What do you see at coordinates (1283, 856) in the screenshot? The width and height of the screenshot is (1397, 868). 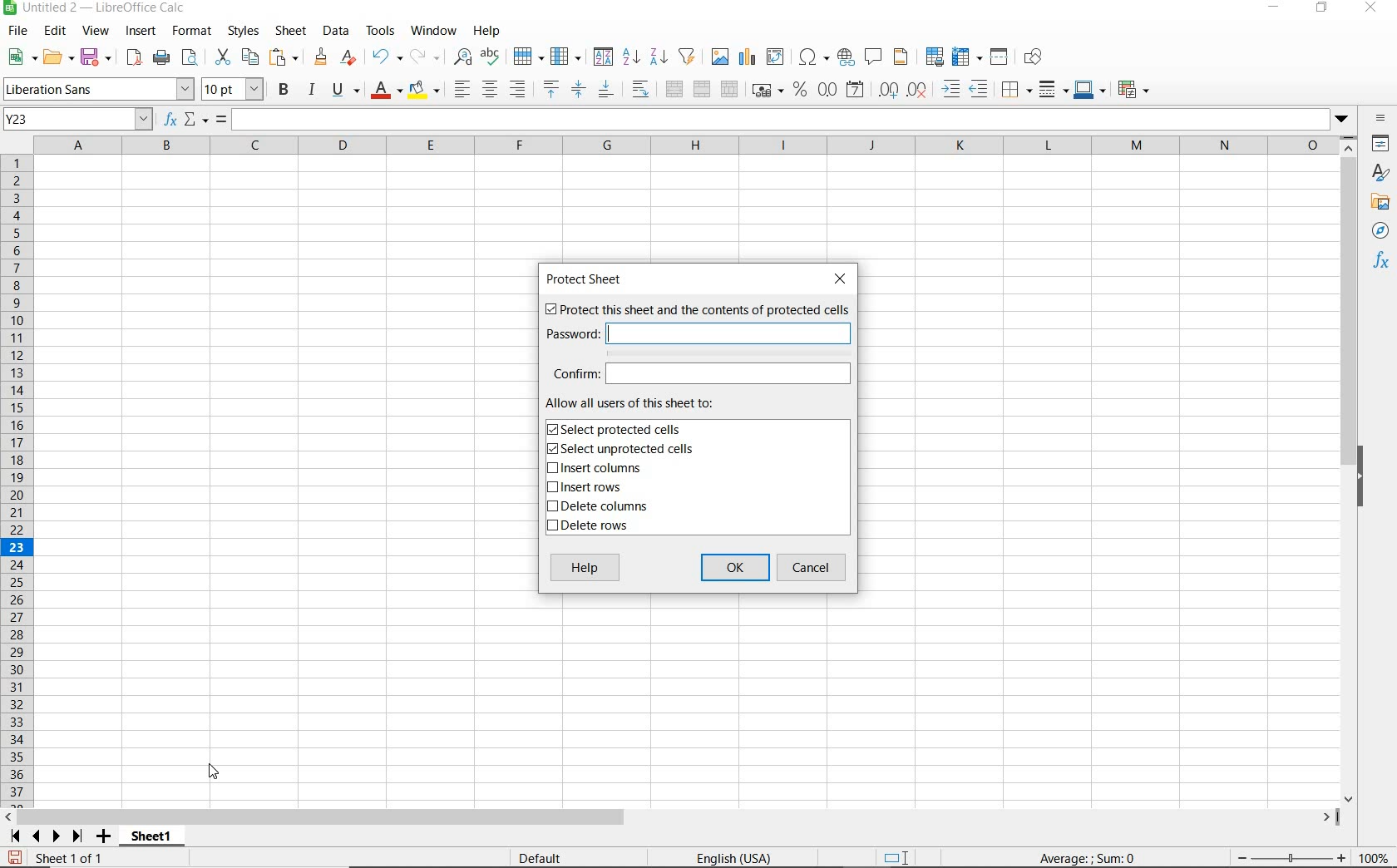 I see `zoom in or zoom out` at bounding box center [1283, 856].